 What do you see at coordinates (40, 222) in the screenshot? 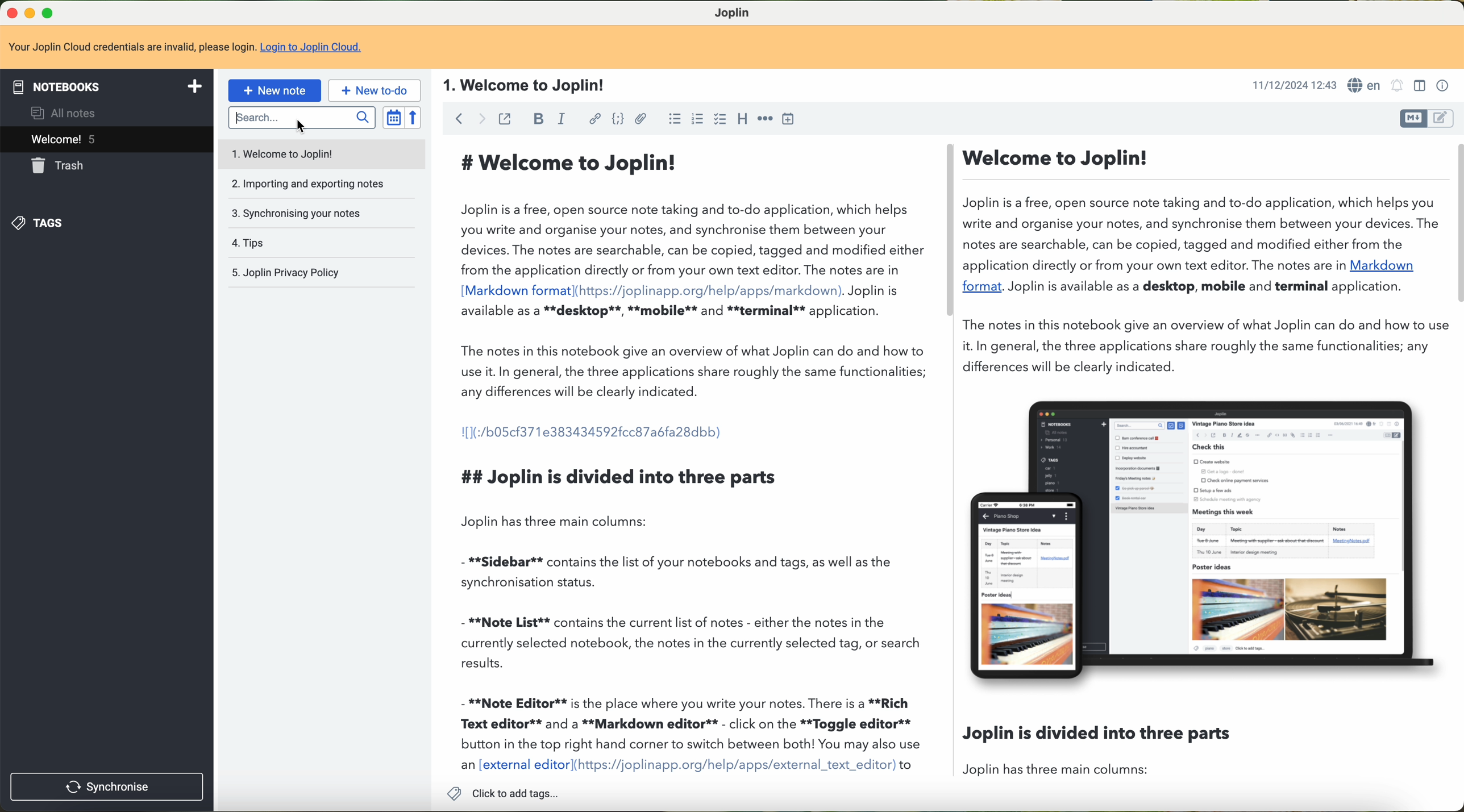
I see `tags` at bounding box center [40, 222].